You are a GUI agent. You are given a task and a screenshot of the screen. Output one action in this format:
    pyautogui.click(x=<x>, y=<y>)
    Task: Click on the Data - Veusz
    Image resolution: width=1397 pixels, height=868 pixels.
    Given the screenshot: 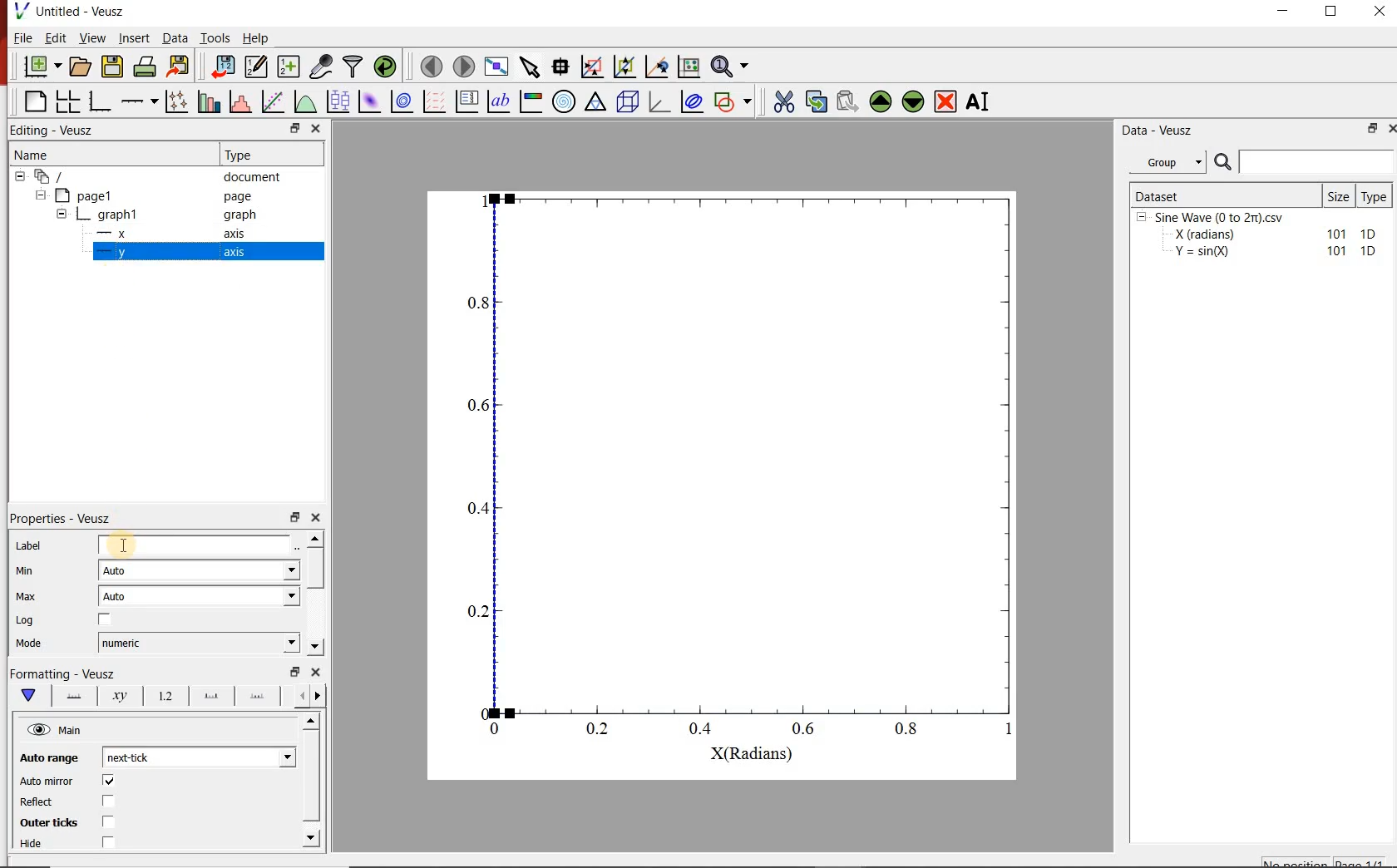 What is the action you would take?
    pyautogui.click(x=1160, y=131)
    